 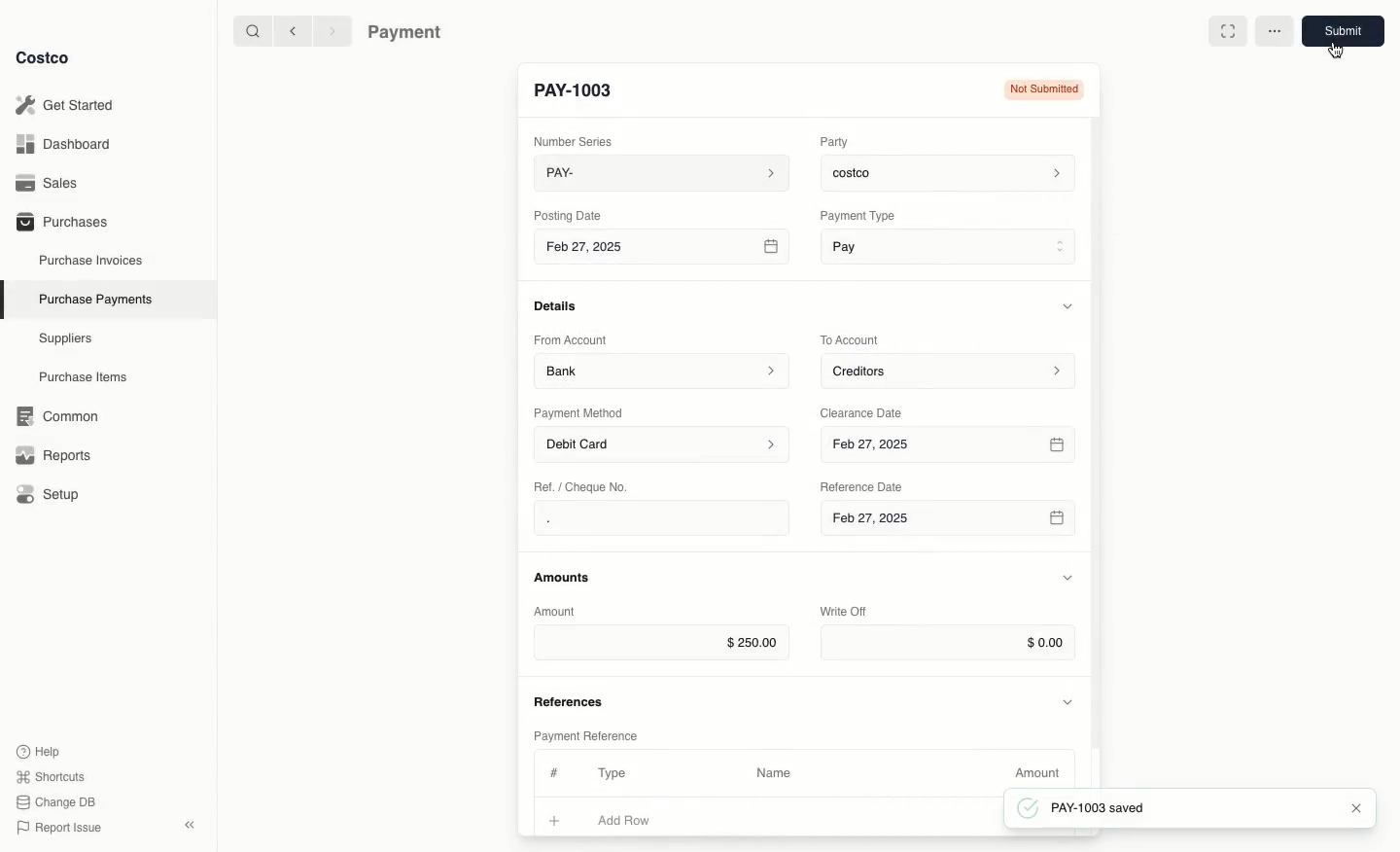 I want to click on Payment Method, so click(x=580, y=412).